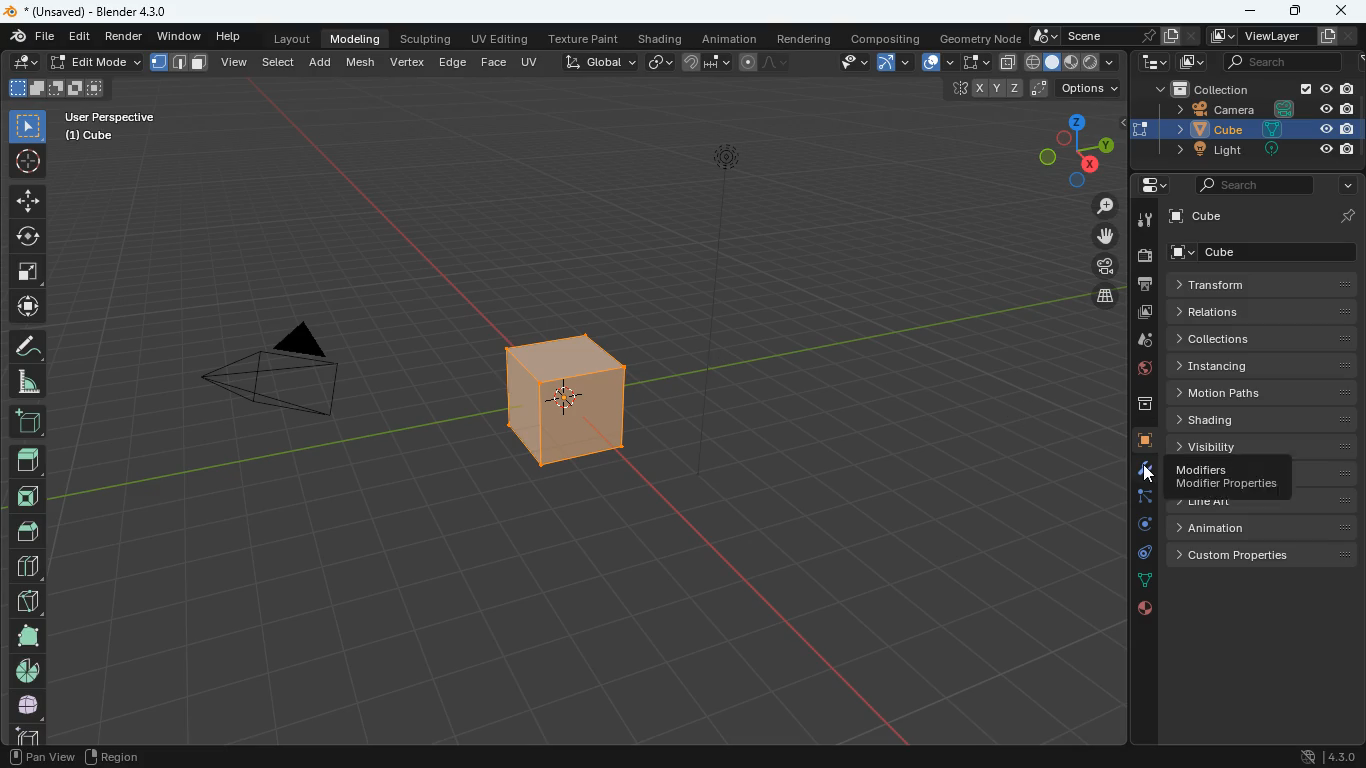  I want to click on globe, so click(1137, 372).